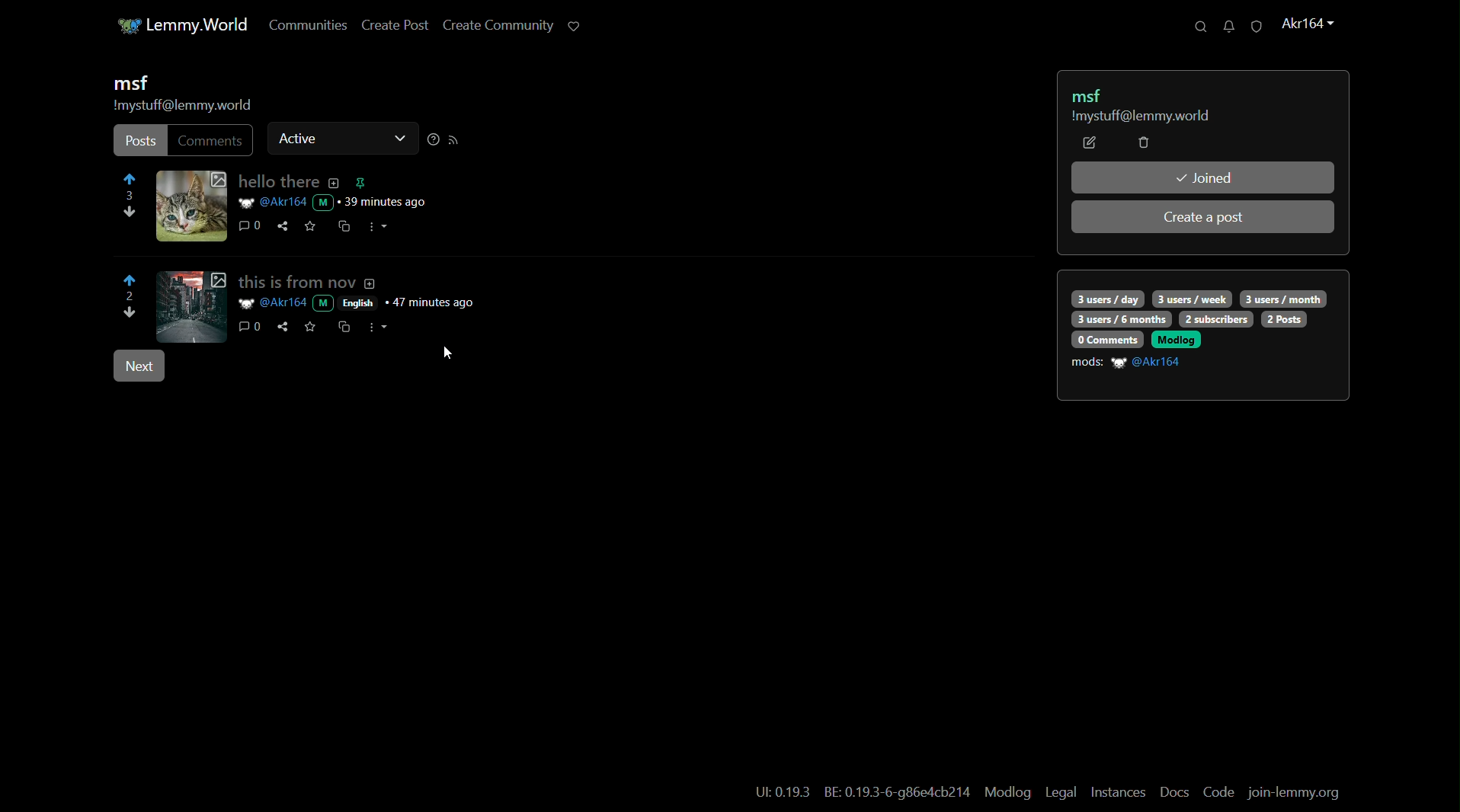 This screenshot has width=1460, height=812. I want to click on downvote, so click(127, 215).